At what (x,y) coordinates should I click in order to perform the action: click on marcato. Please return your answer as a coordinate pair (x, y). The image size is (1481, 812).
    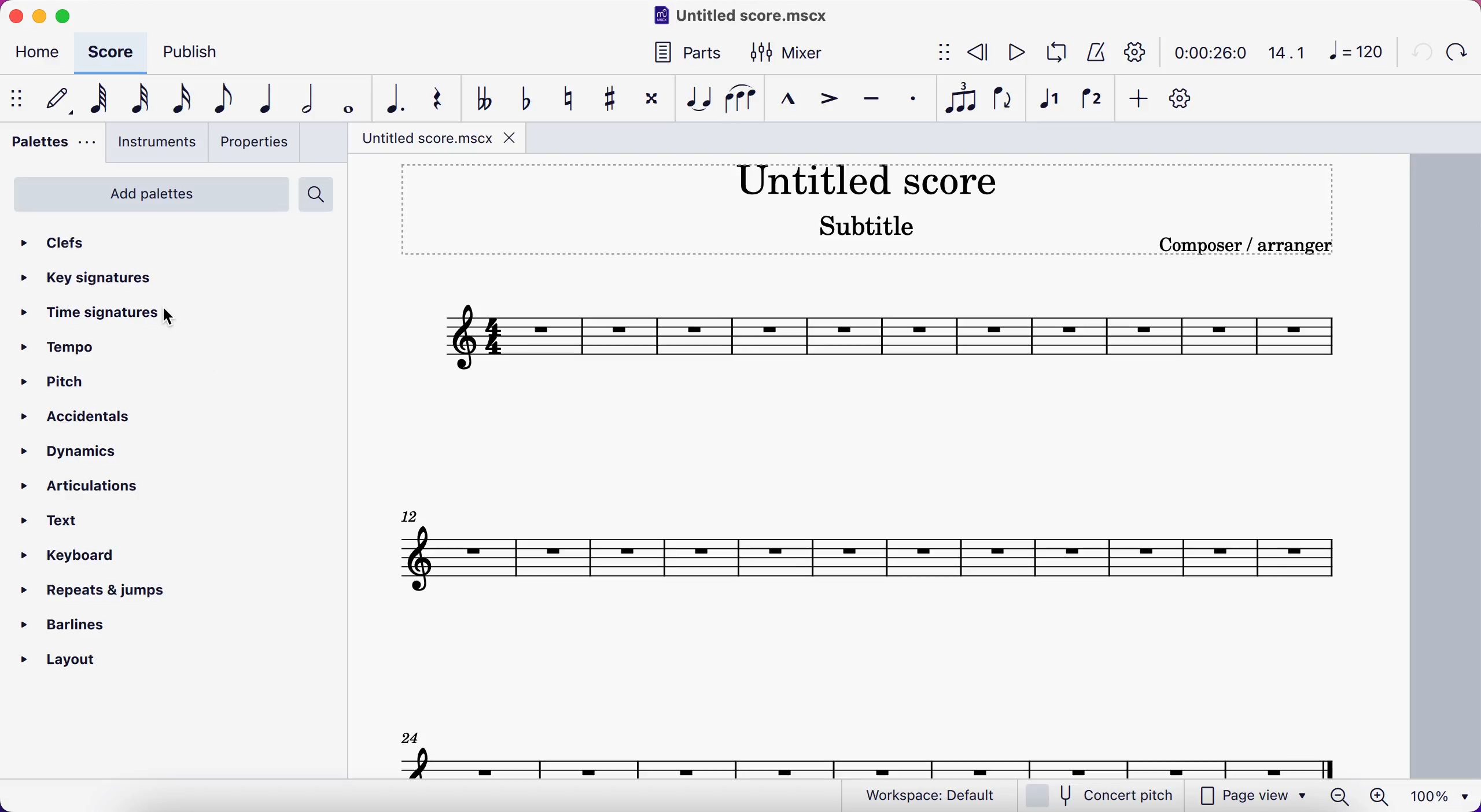
    Looking at the image, I should click on (785, 96).